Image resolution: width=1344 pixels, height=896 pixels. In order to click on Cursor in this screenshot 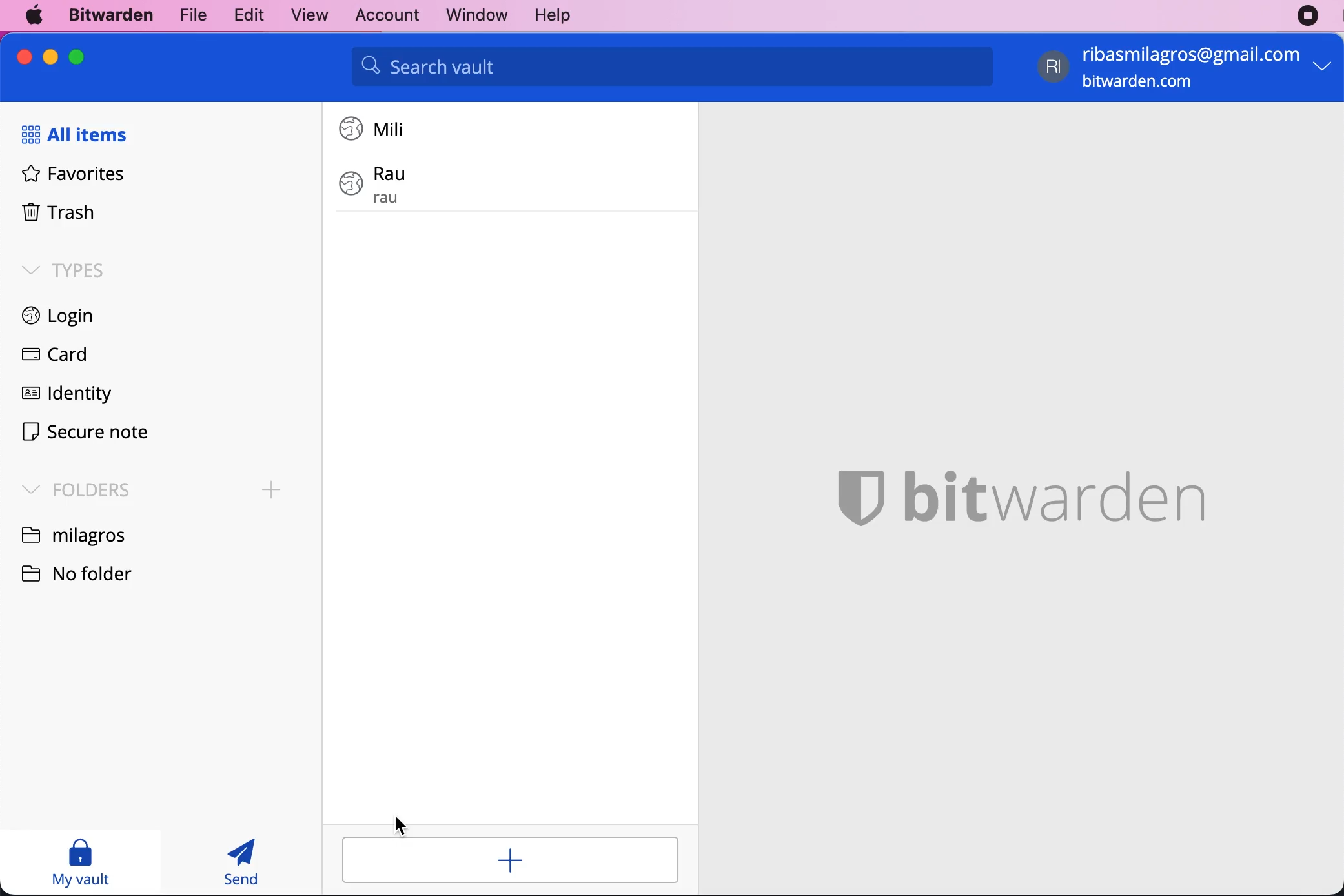, I will do `click(400, 826)`.